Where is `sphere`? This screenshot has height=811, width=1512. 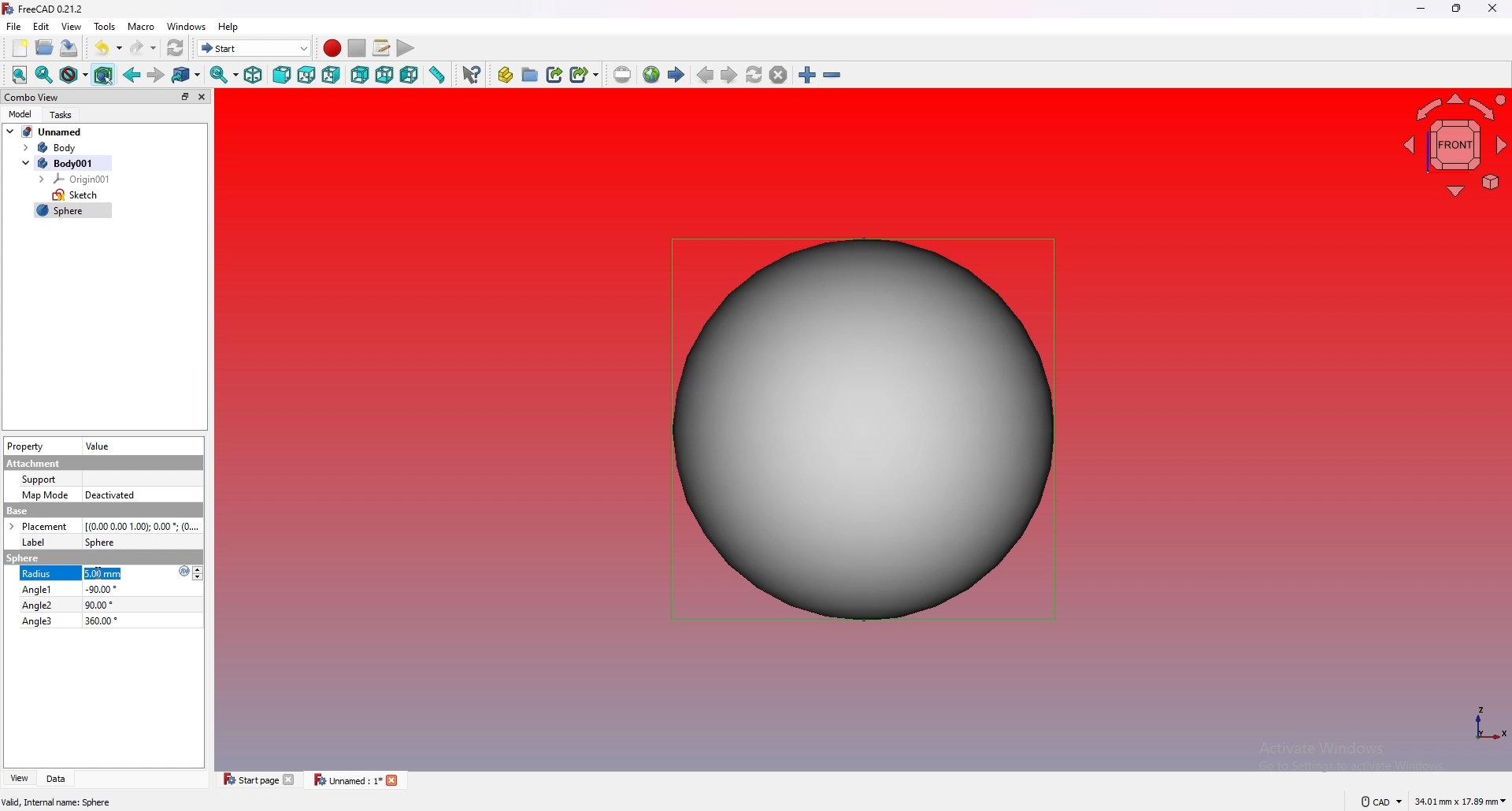 sphere is located at coordinates (73, 212).